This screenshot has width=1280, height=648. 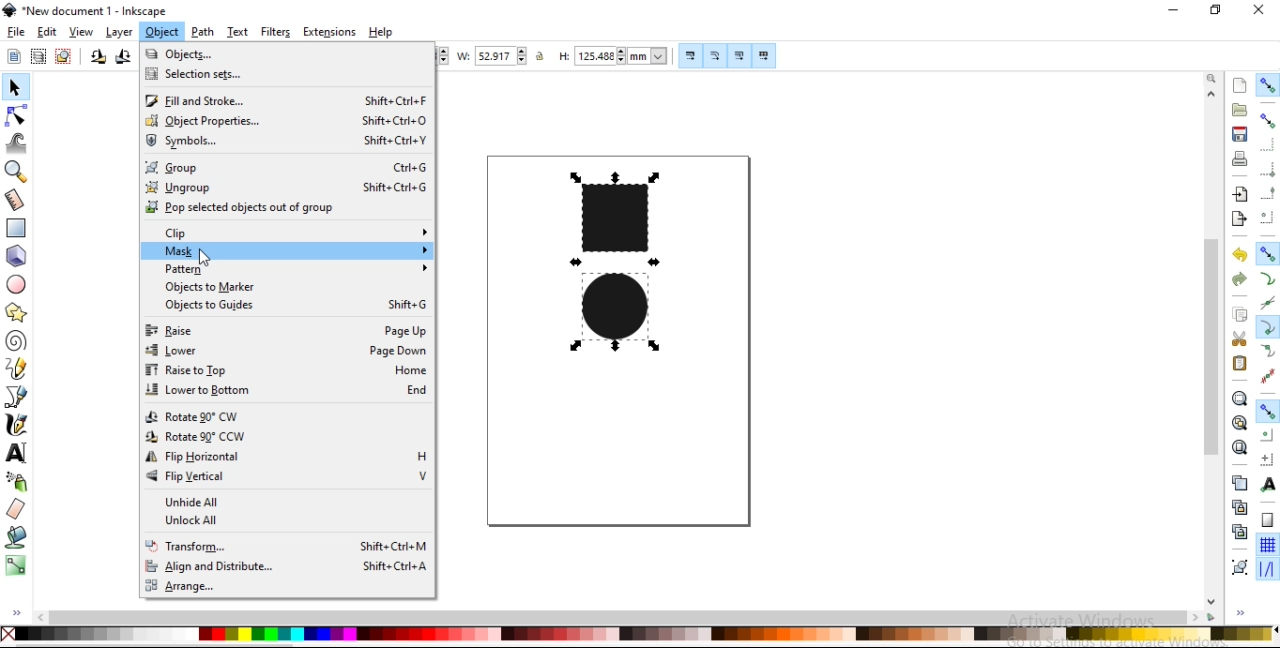 I want to click on snap nodes, paths and handles, so click(x=1268, y=253).